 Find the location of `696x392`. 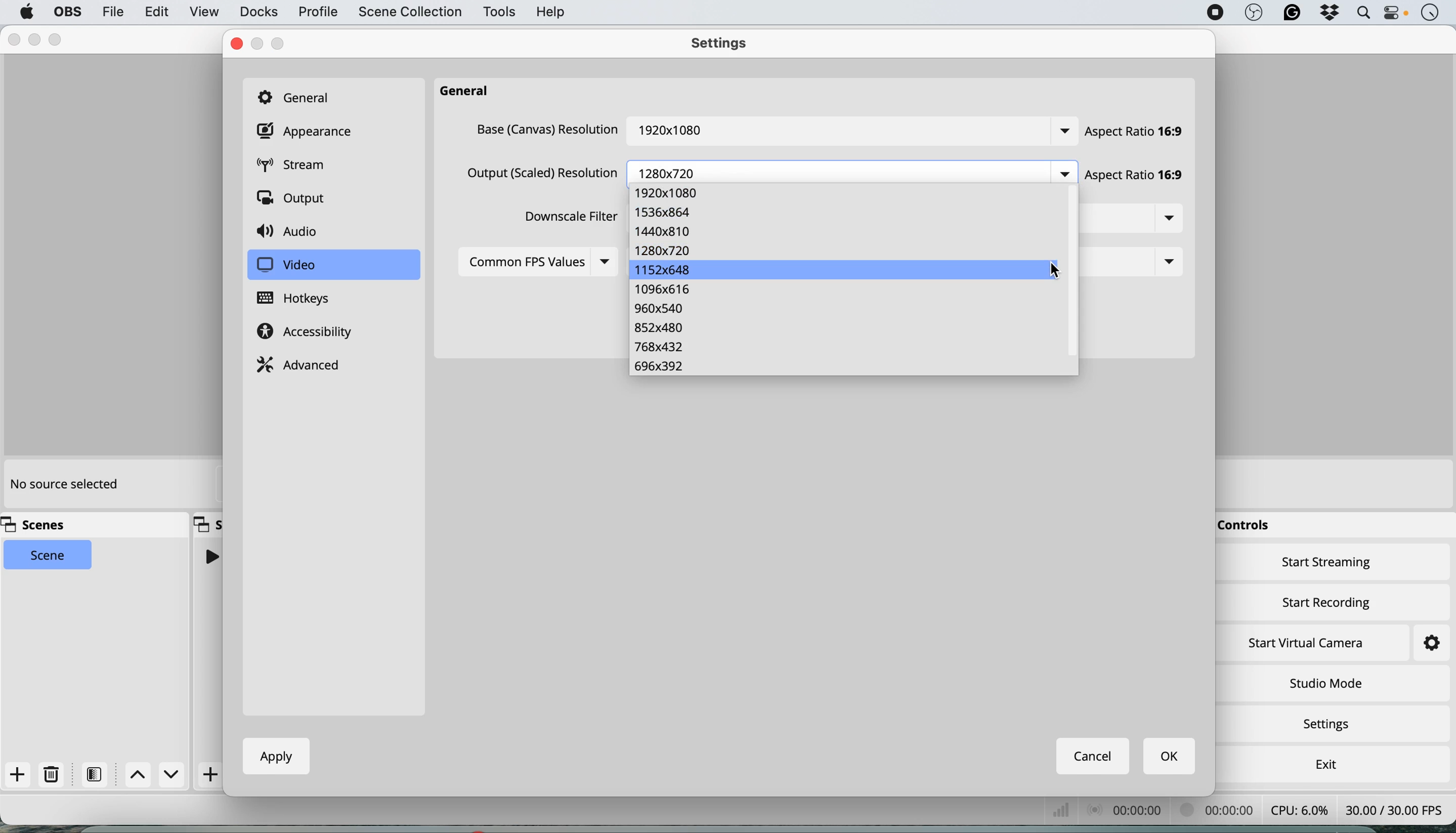

696x392 is located at coordinates (659, 366).